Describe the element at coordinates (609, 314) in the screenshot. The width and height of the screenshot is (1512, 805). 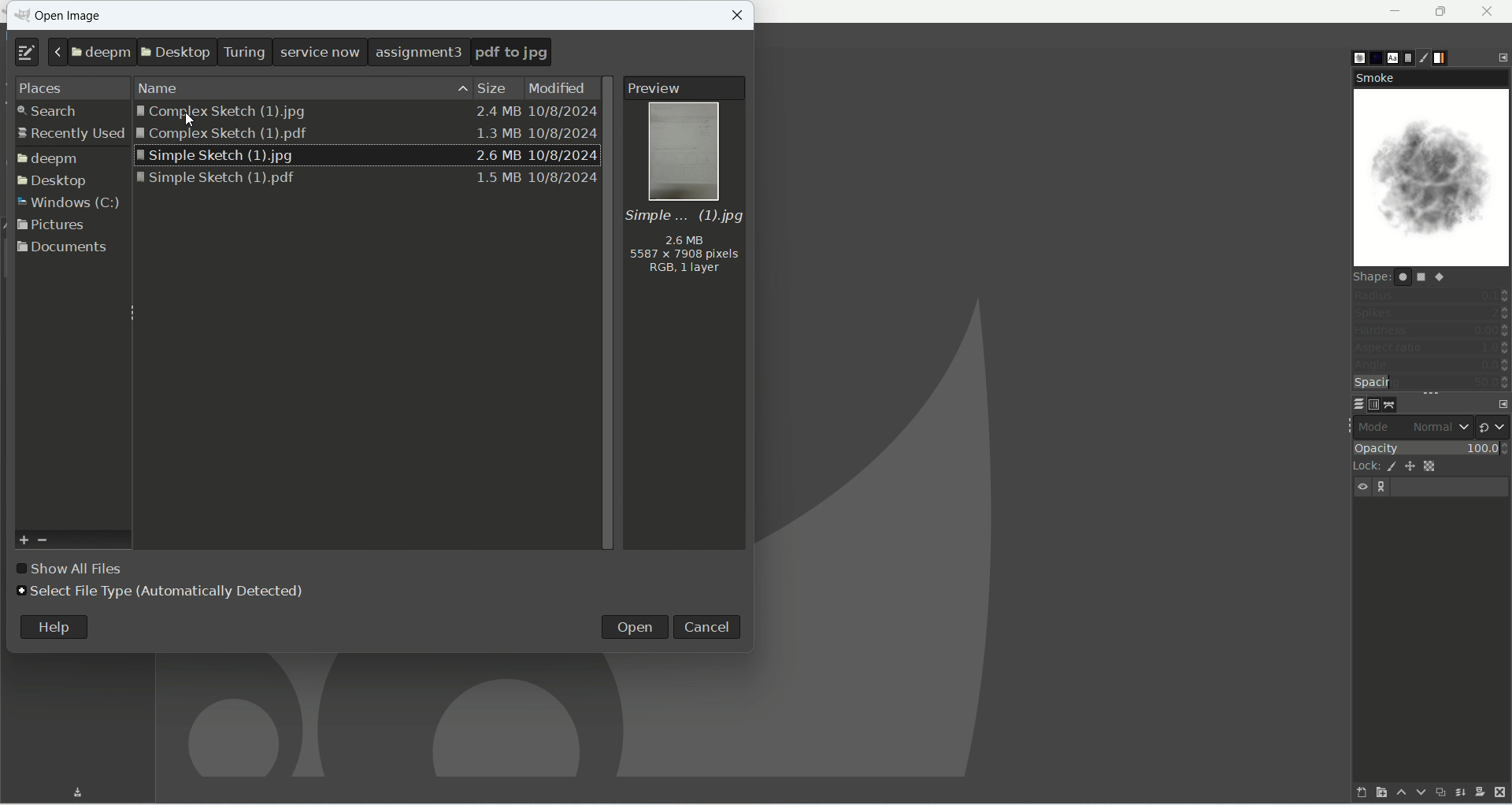
I see `vertical scroll bar` at that location.